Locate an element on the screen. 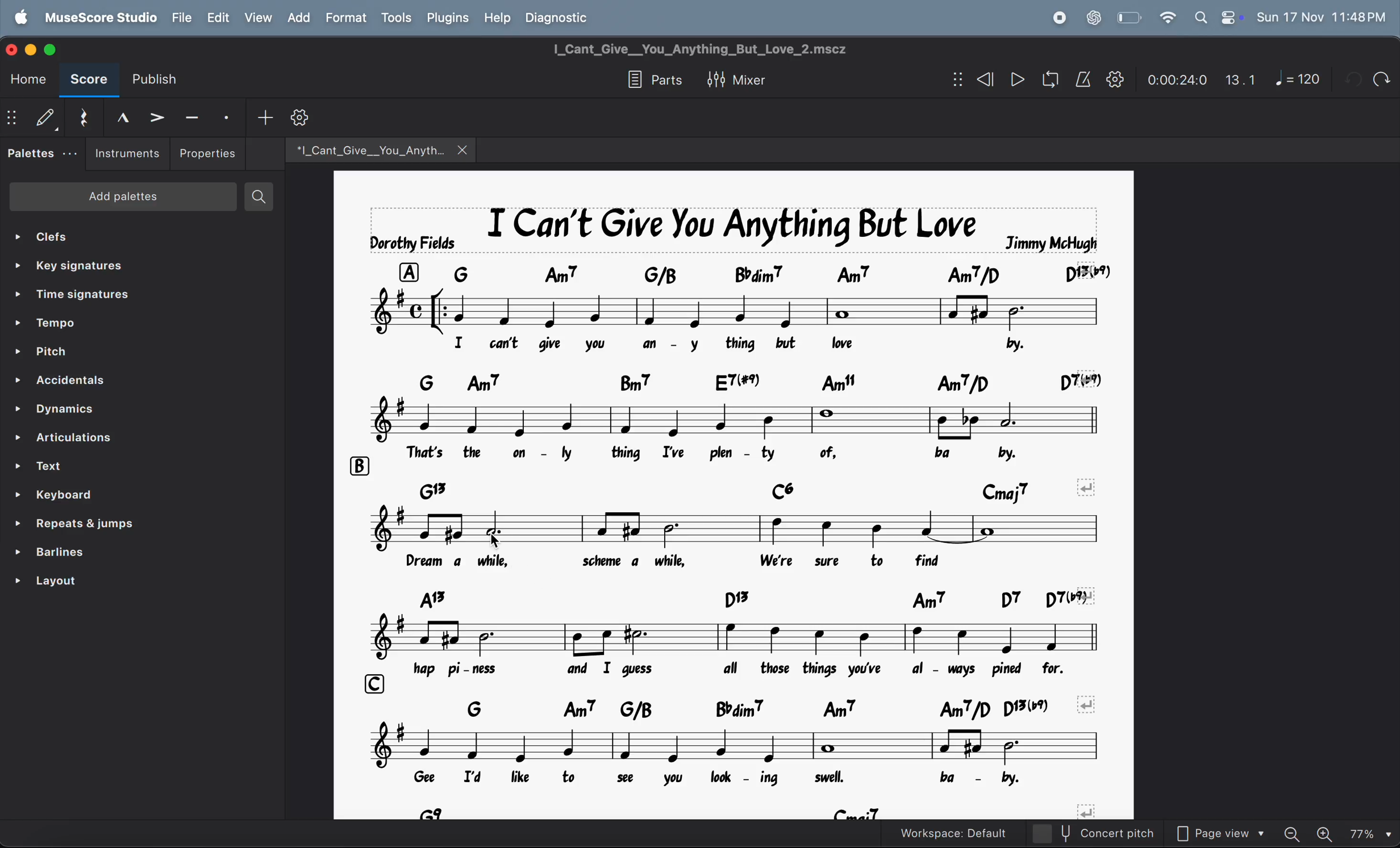 This screenshot has width=1400, height=848. chord symblols is located at coordinates (721, 487).